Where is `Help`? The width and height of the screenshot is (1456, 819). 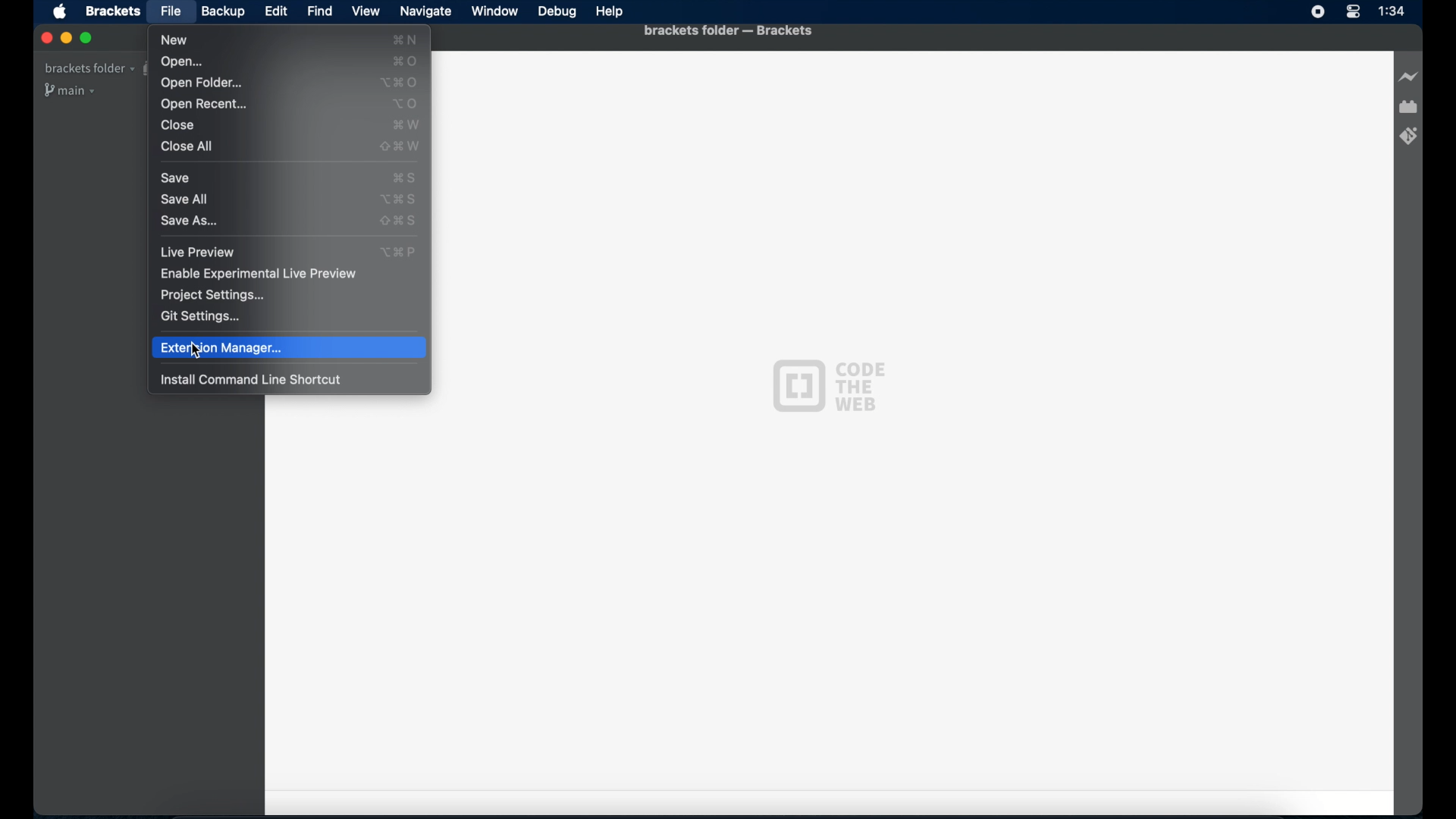
Help is located at coordinates (610, 13).